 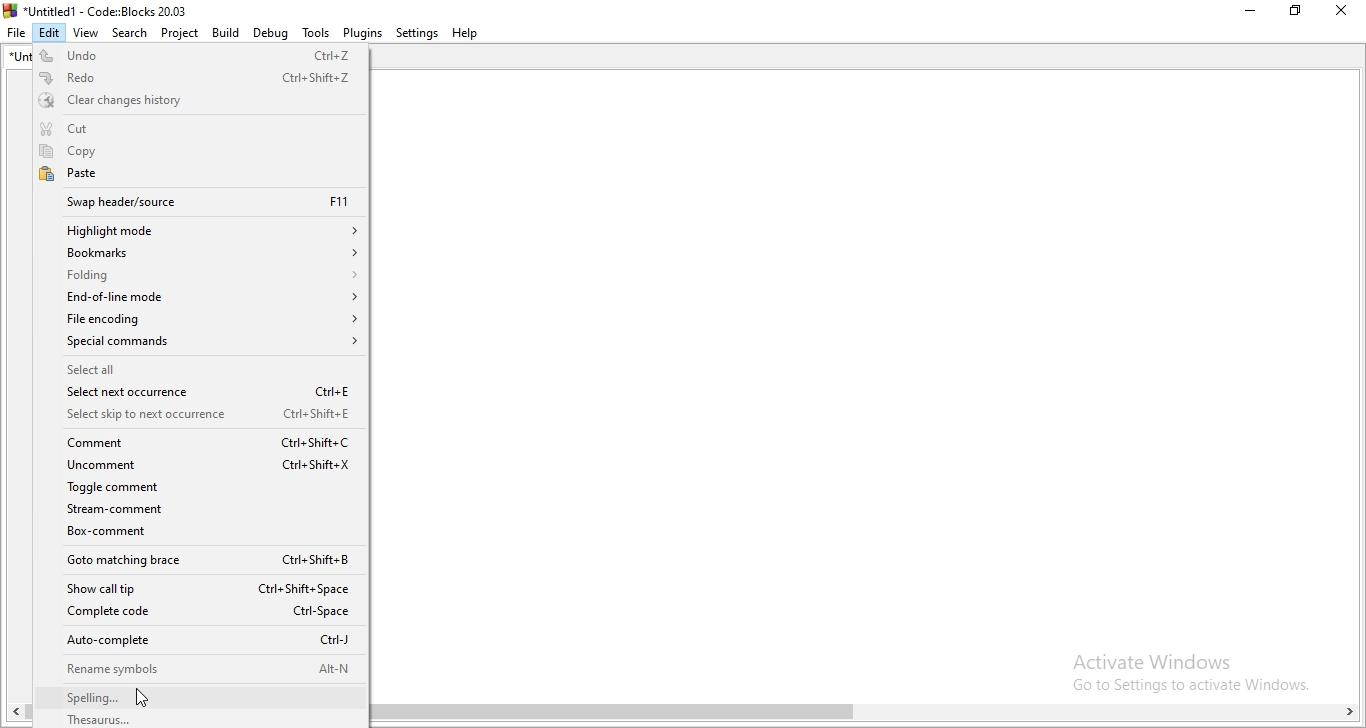 I want to click on Swap header/source, so click(x=198, y=204).